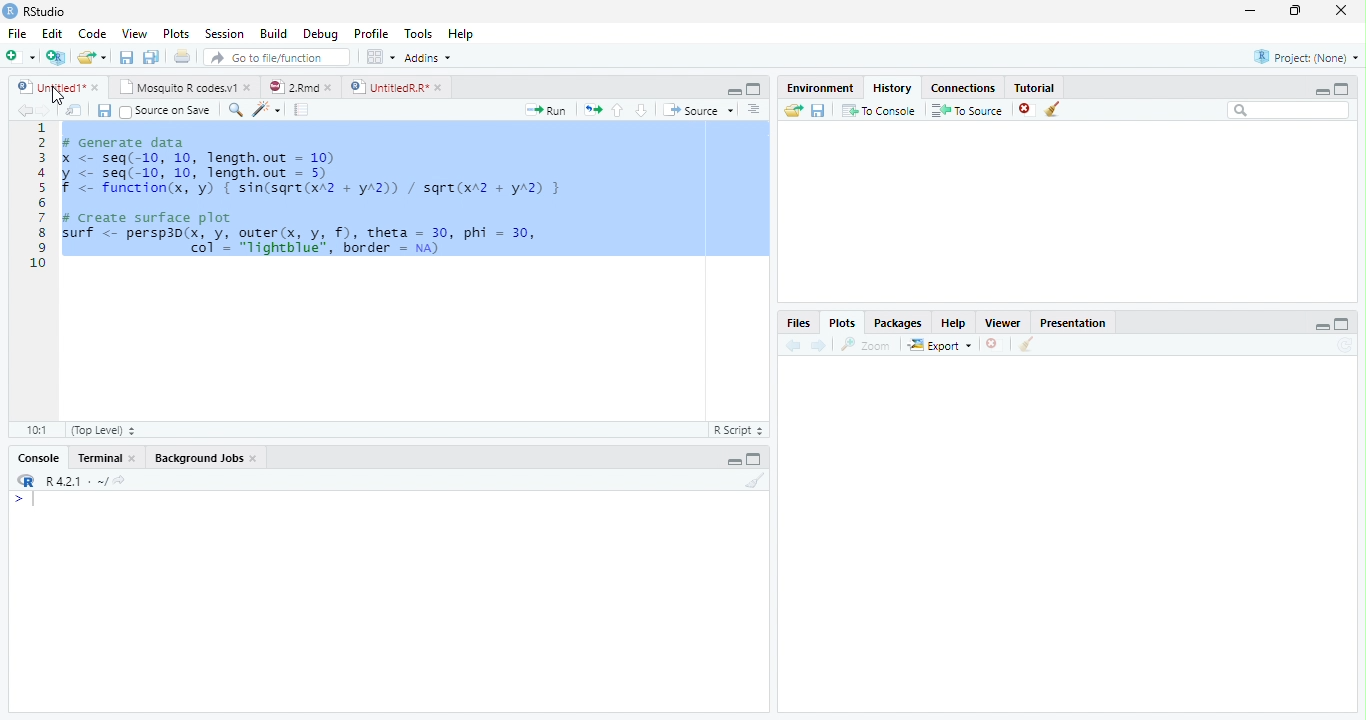 This screenshot has height=720, width=1366. Describe the element at coordinates (416, 32) in the screenshot. I see `Tools` at that location.